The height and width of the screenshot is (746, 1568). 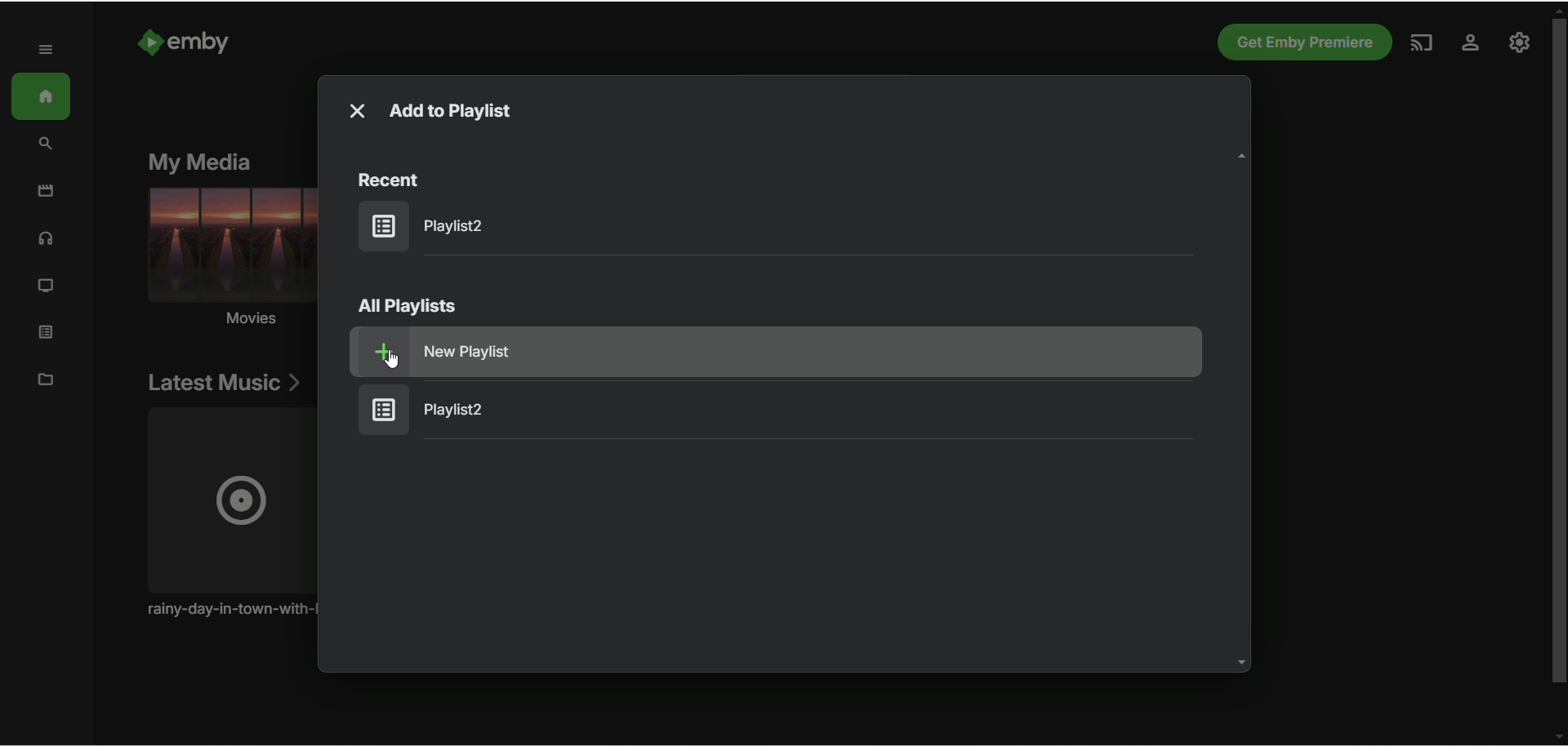 I want to click on Cursor, so click(x=392, y=358).